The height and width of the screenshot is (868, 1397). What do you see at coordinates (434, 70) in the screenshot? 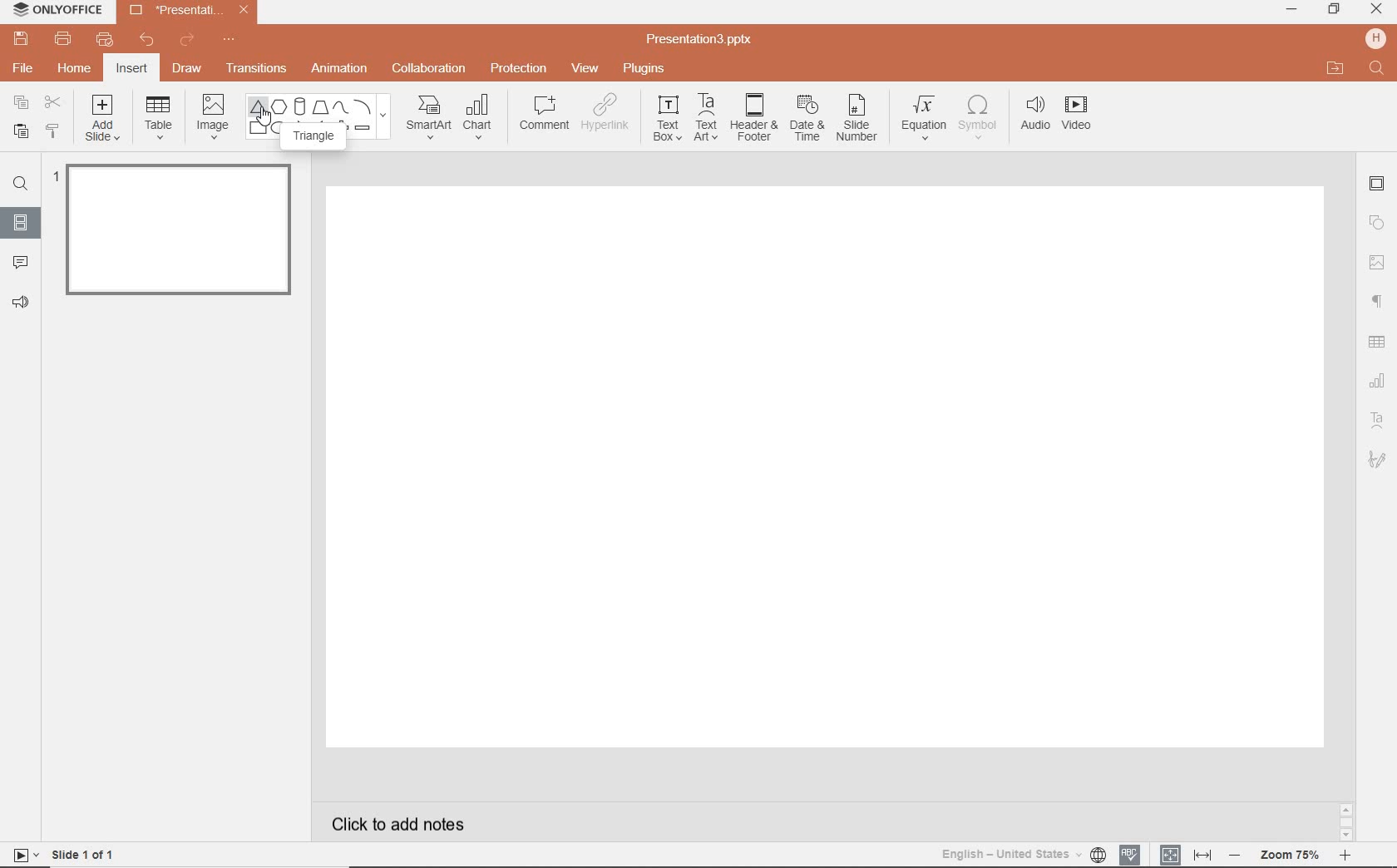
I see `COLLABORATION` at bounding box center [434, 70].